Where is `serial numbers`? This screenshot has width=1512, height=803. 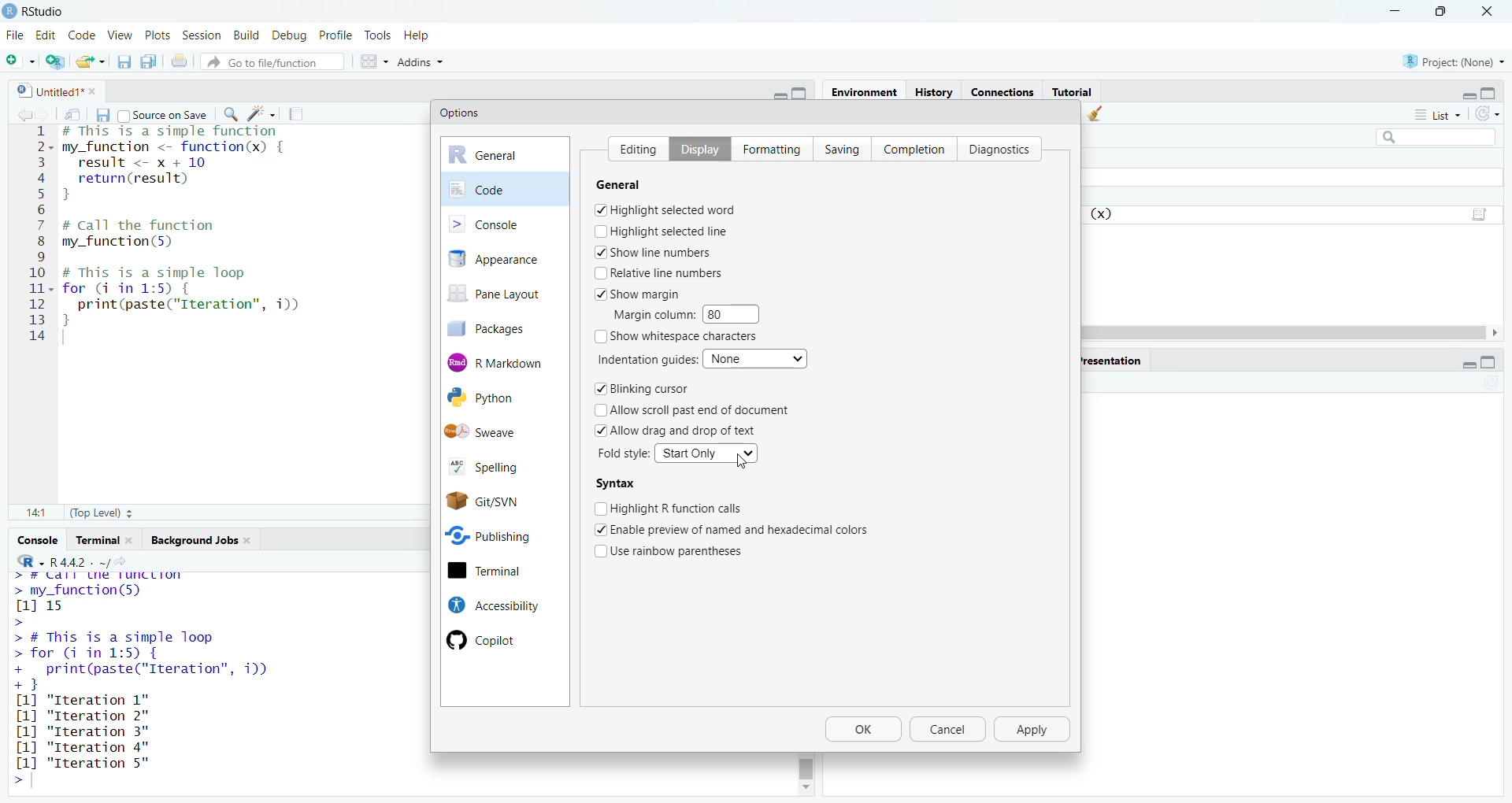
serial numbers is located at coordinates (38, 237).